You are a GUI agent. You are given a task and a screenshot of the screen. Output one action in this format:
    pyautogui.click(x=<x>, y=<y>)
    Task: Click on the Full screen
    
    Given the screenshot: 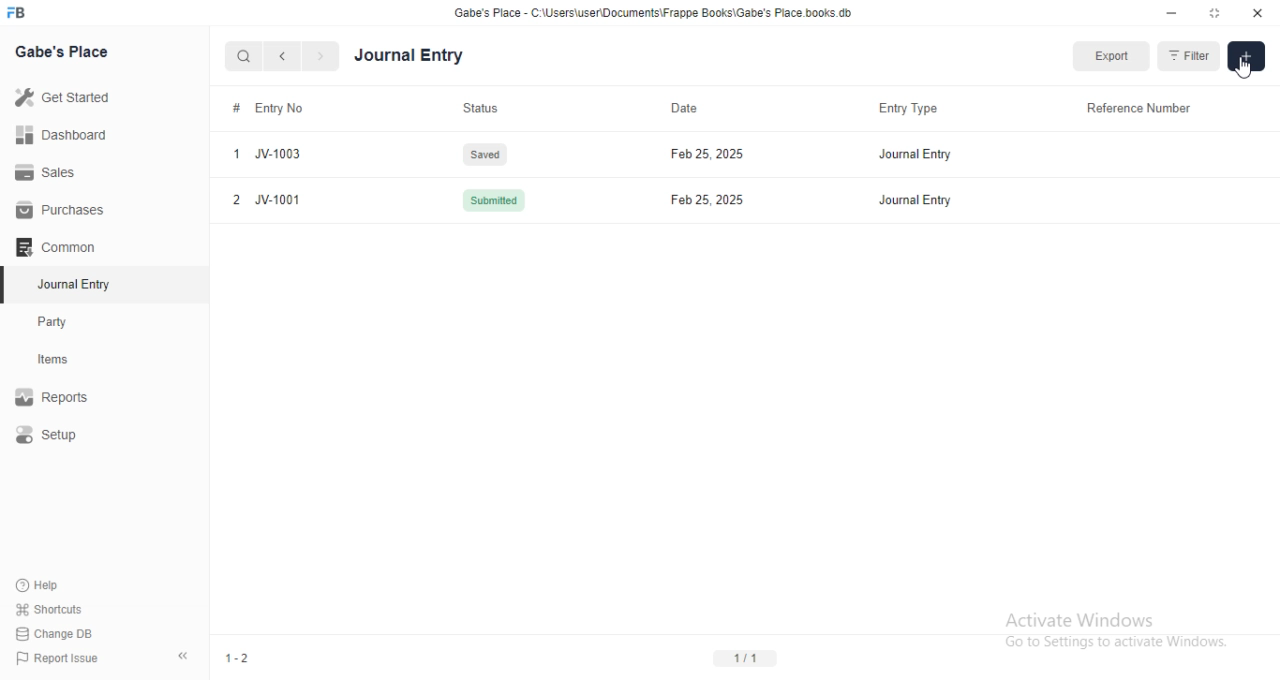 What is the action you would take?
    pyautogui.click(x=1212, y=13)
    